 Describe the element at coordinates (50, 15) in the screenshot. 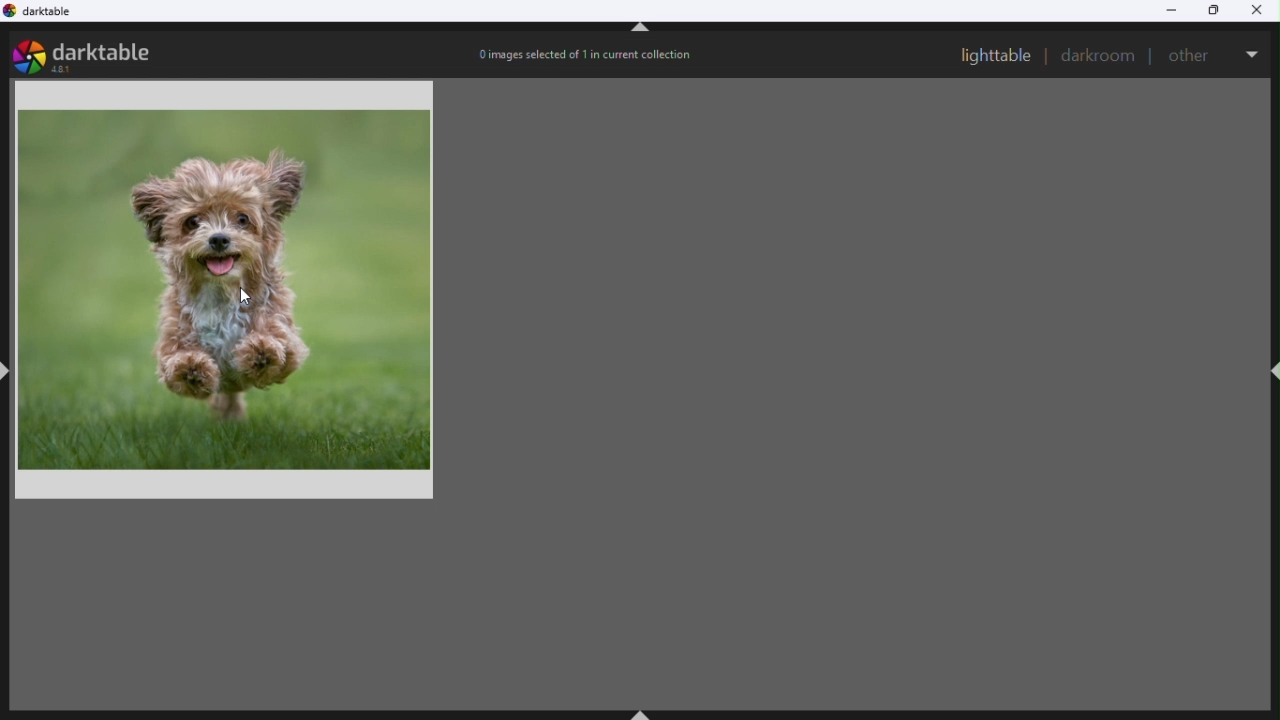

I see `Dark table` at that location.